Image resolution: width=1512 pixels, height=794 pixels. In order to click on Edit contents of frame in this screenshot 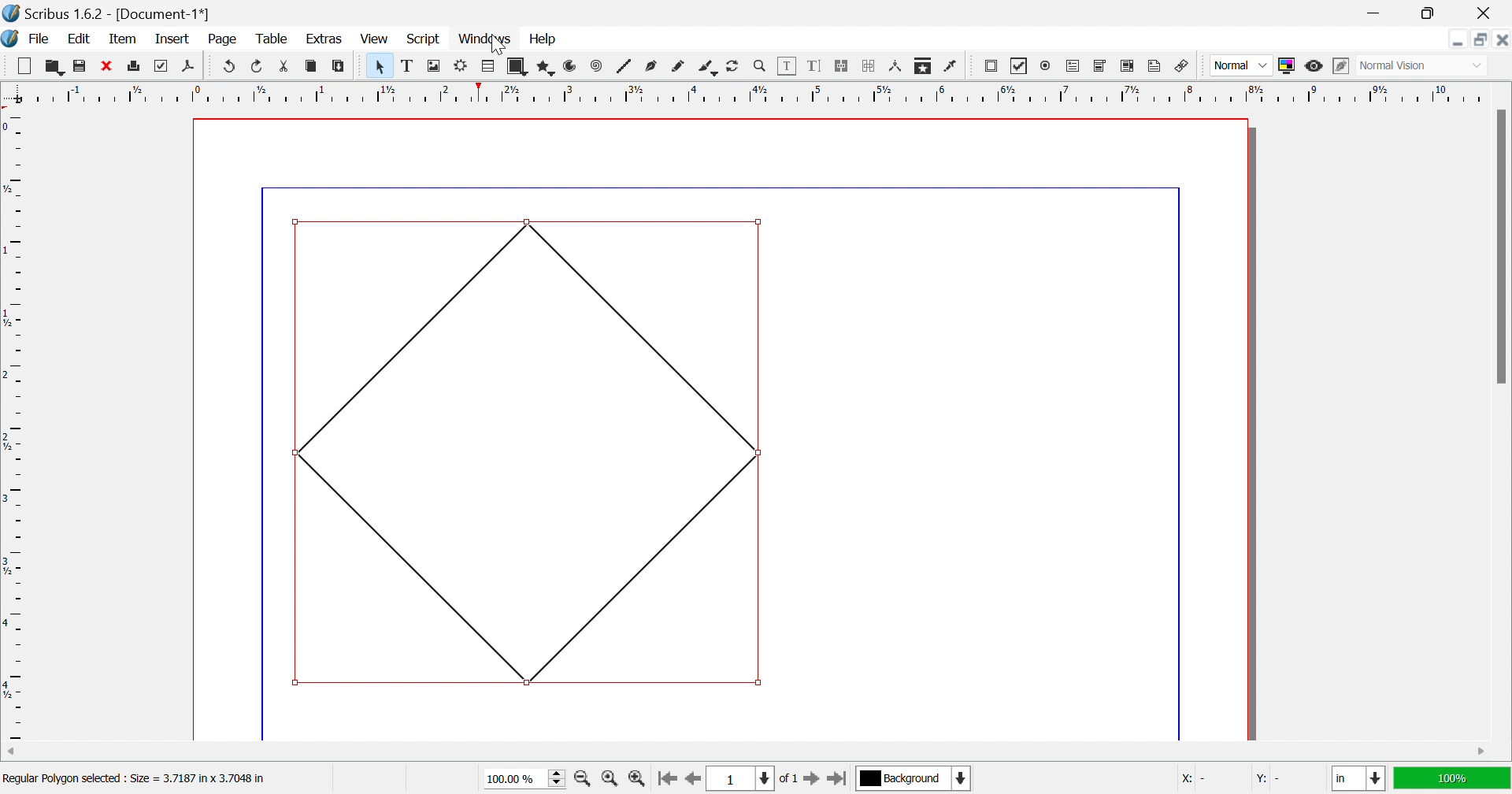, I will do `click(787, 64)`.